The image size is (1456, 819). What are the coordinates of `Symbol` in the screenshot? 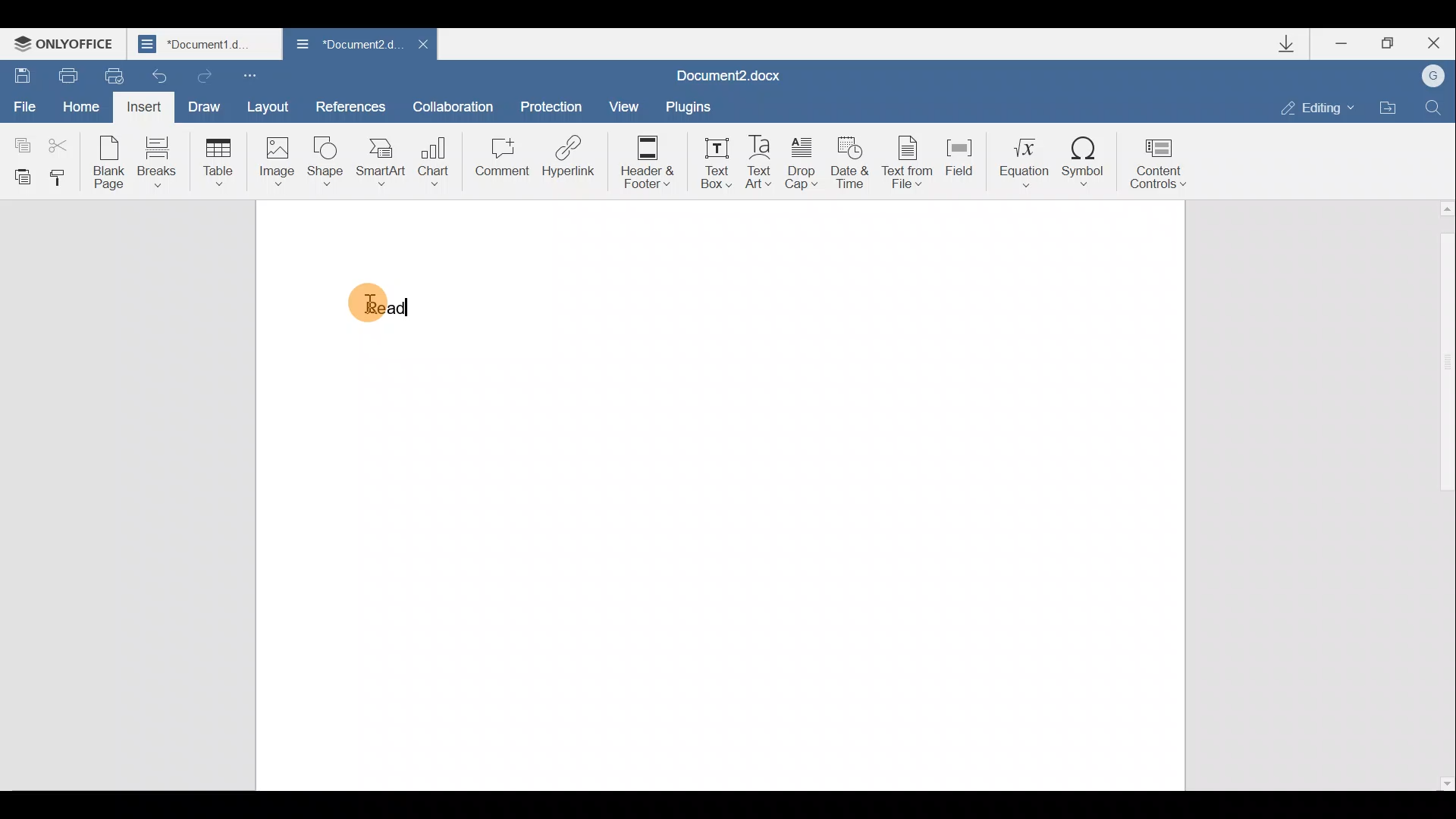 It's located at (1087, 162).